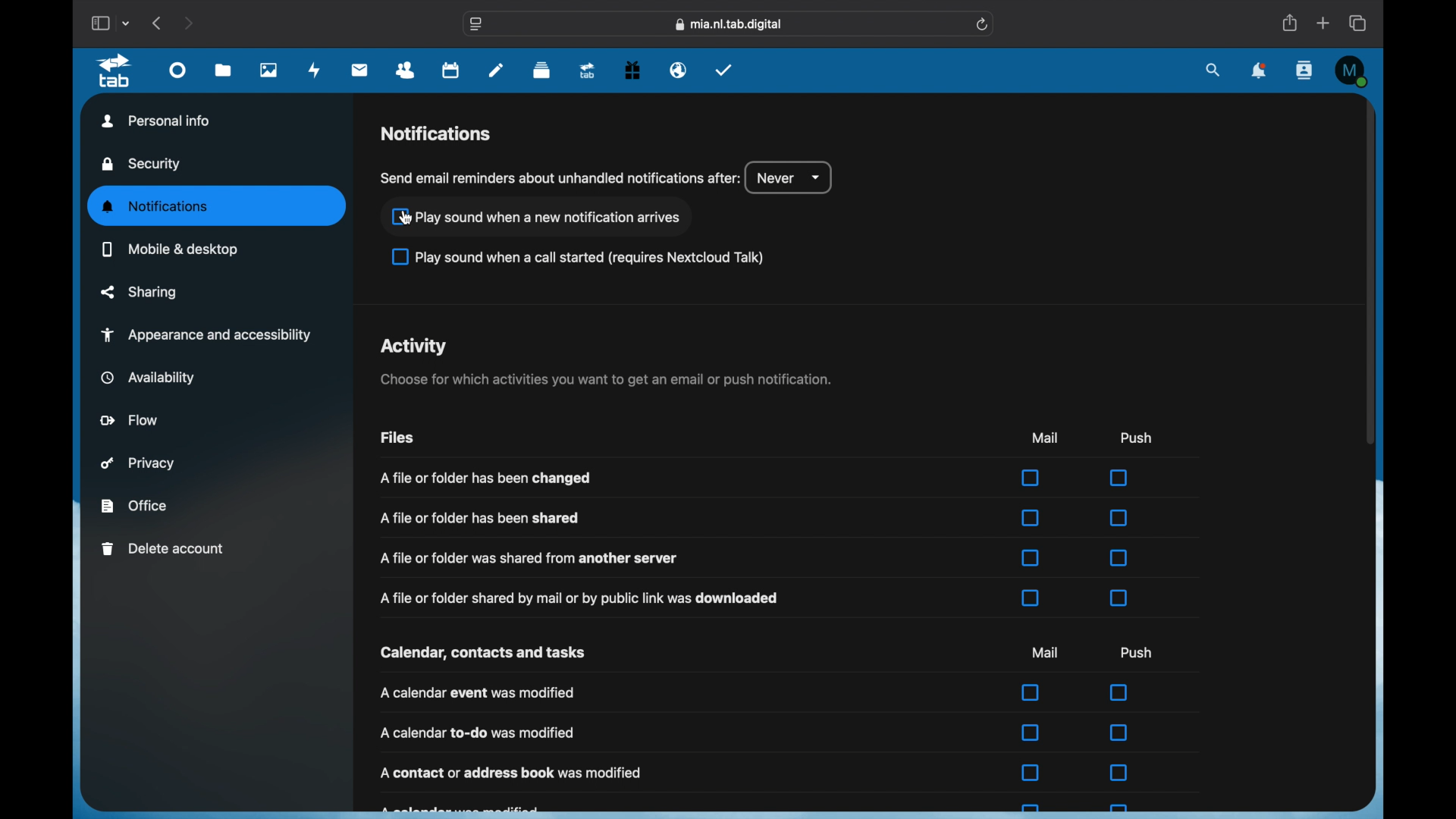 The height and width of the screenshot is (819, 1456). I want to click on checkbox, so click(1119, 518).